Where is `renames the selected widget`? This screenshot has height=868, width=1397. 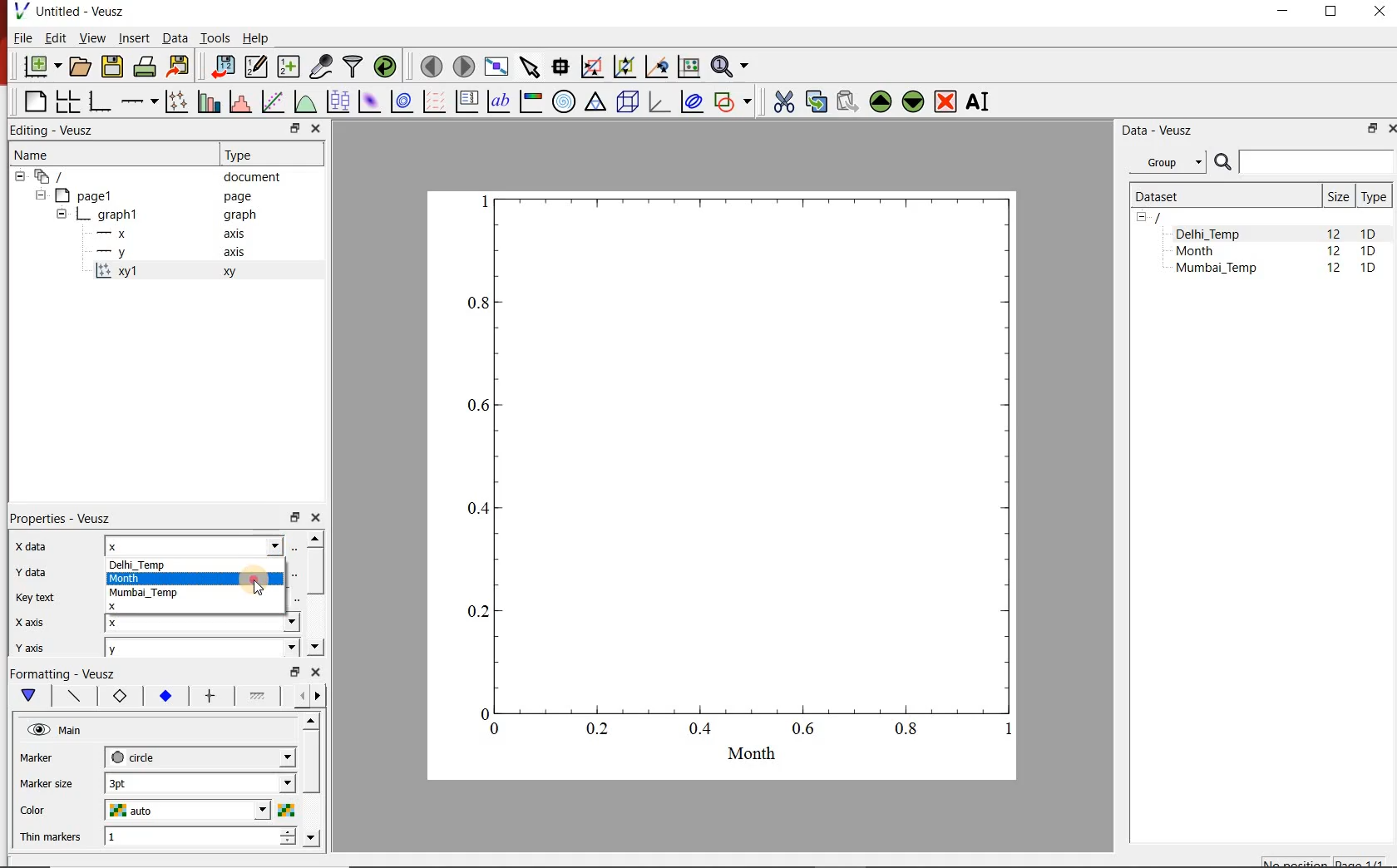
renames the selected widget is located at coordinates (979, 102).